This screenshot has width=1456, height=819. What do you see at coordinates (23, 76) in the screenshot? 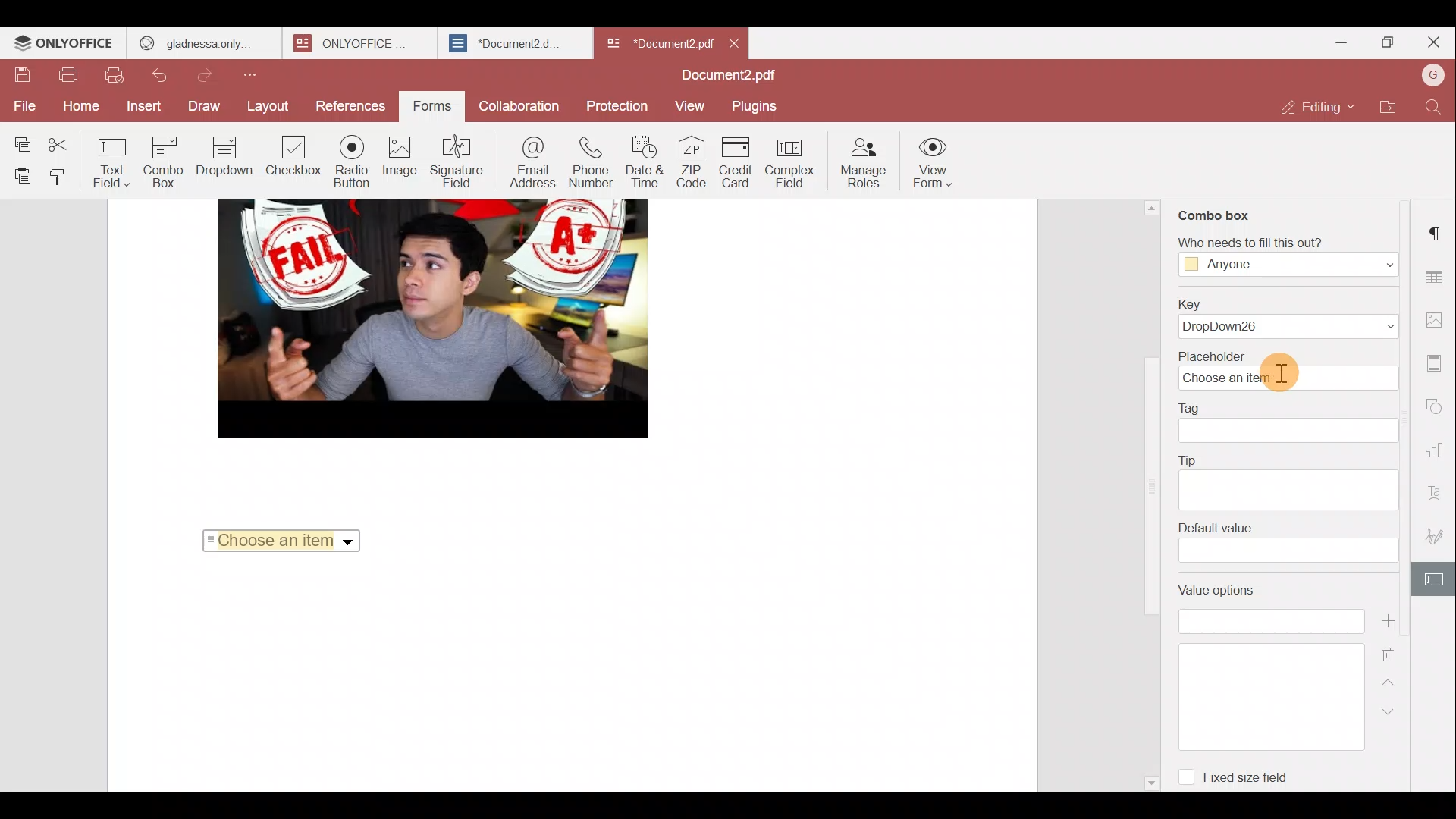
I see `Save` at bounding box center [23, 76].